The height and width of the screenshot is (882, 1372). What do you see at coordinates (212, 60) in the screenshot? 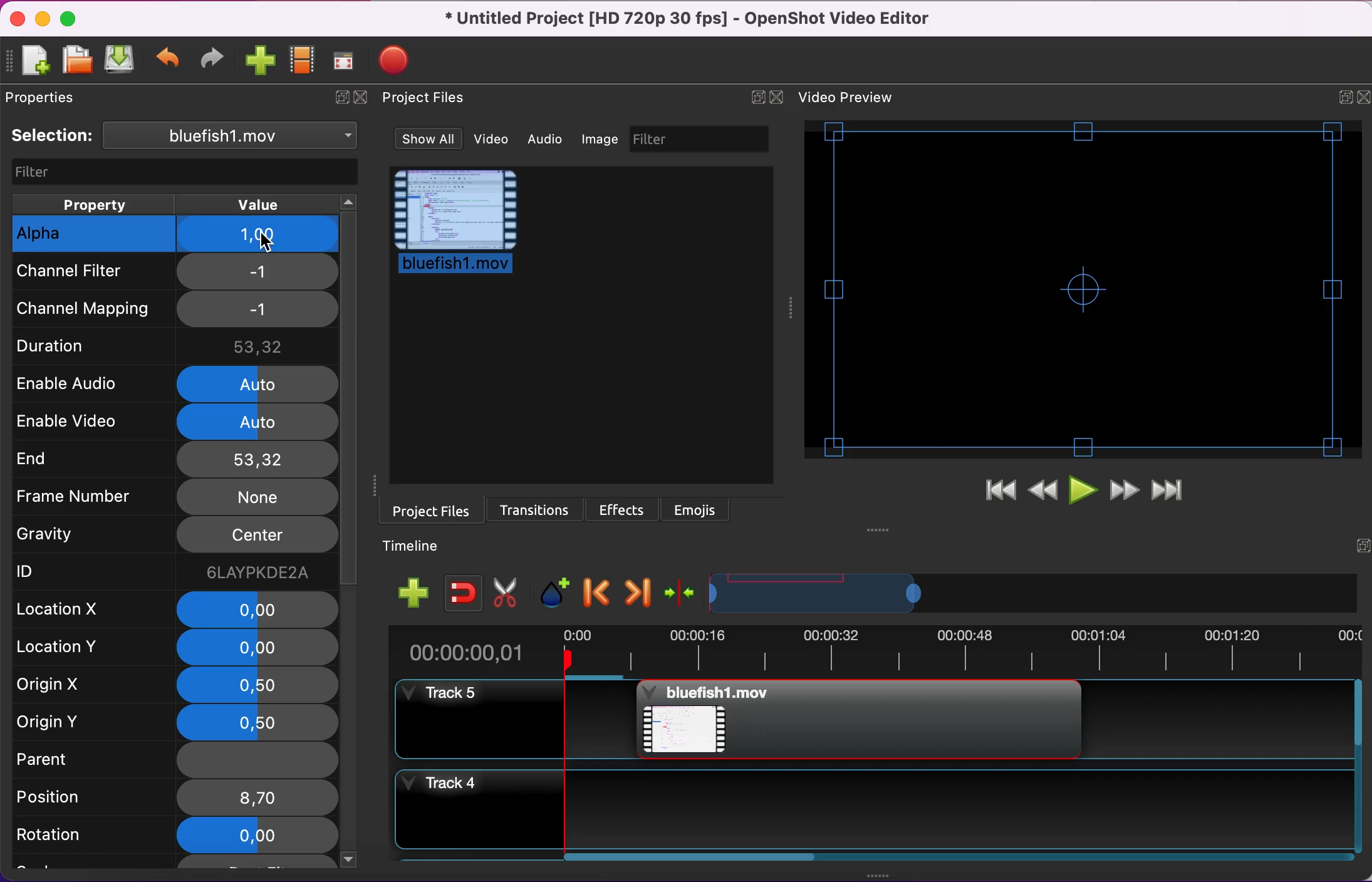
I see `redo` at bounding box center [212, 60].